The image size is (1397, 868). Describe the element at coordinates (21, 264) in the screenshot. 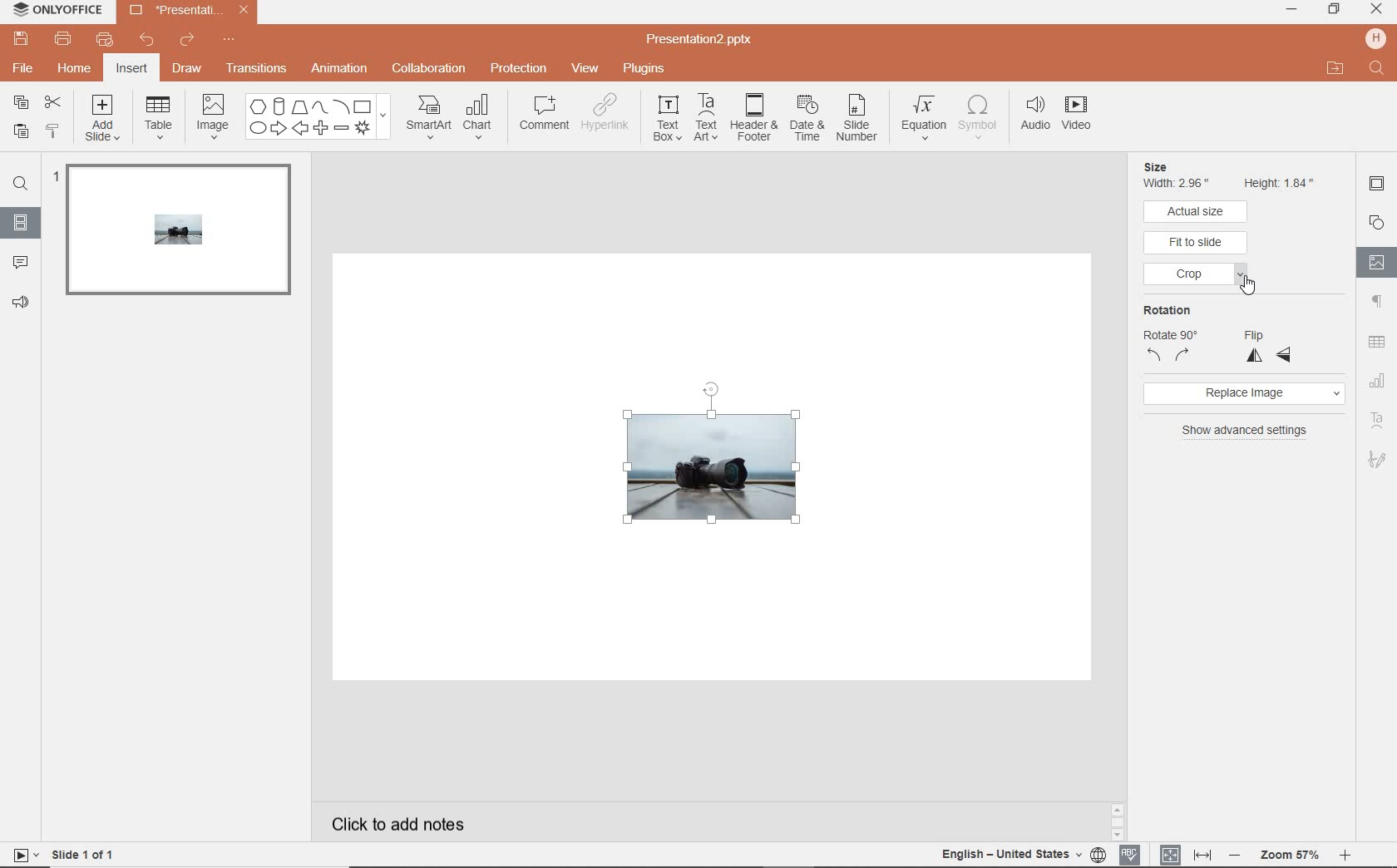

I see `comment` at that location.